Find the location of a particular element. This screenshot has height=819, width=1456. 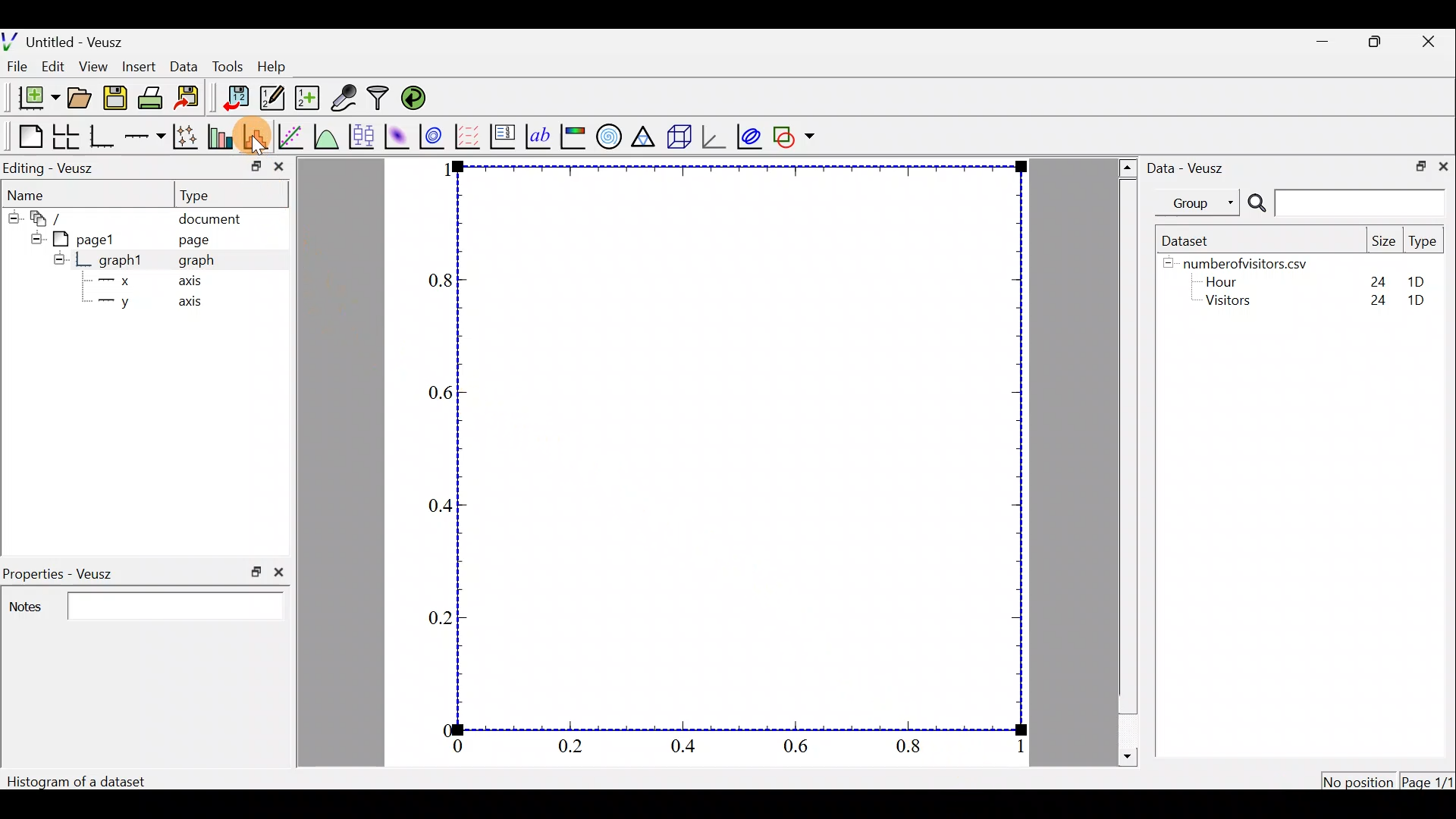

x is located at coordinates (124, 280).